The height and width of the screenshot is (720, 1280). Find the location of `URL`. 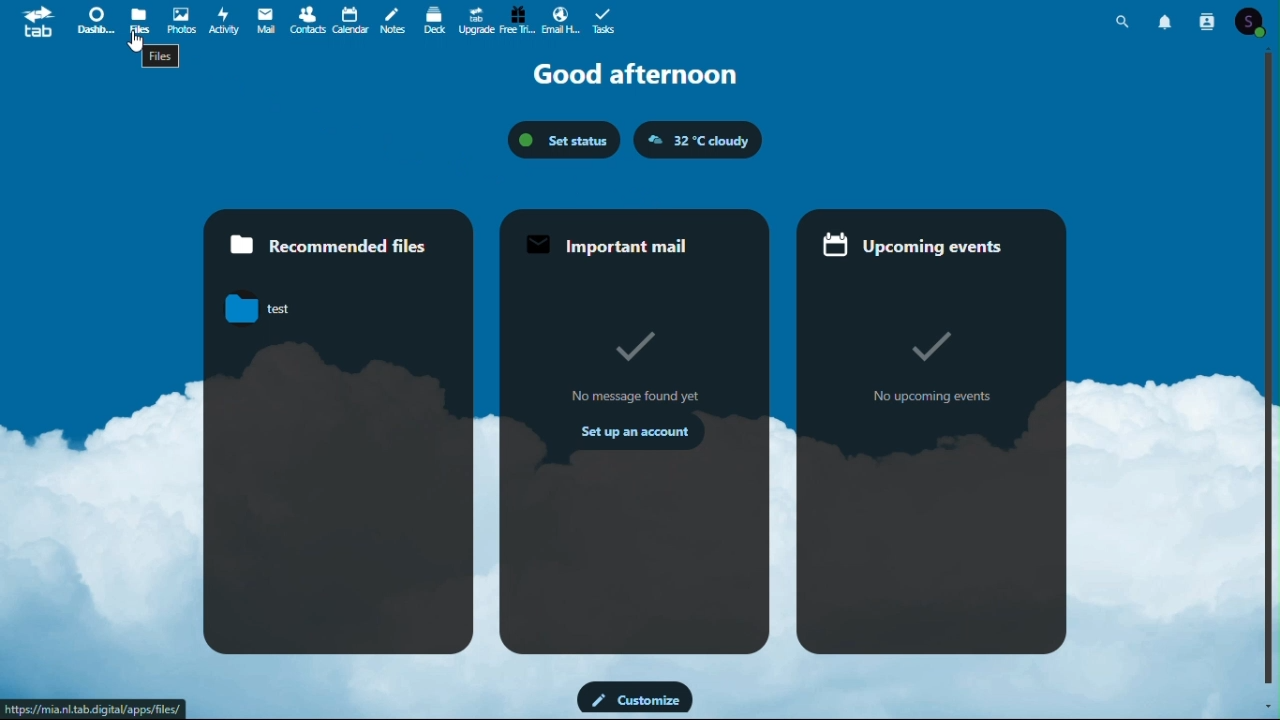

URL is located at coordinates (92, 708).